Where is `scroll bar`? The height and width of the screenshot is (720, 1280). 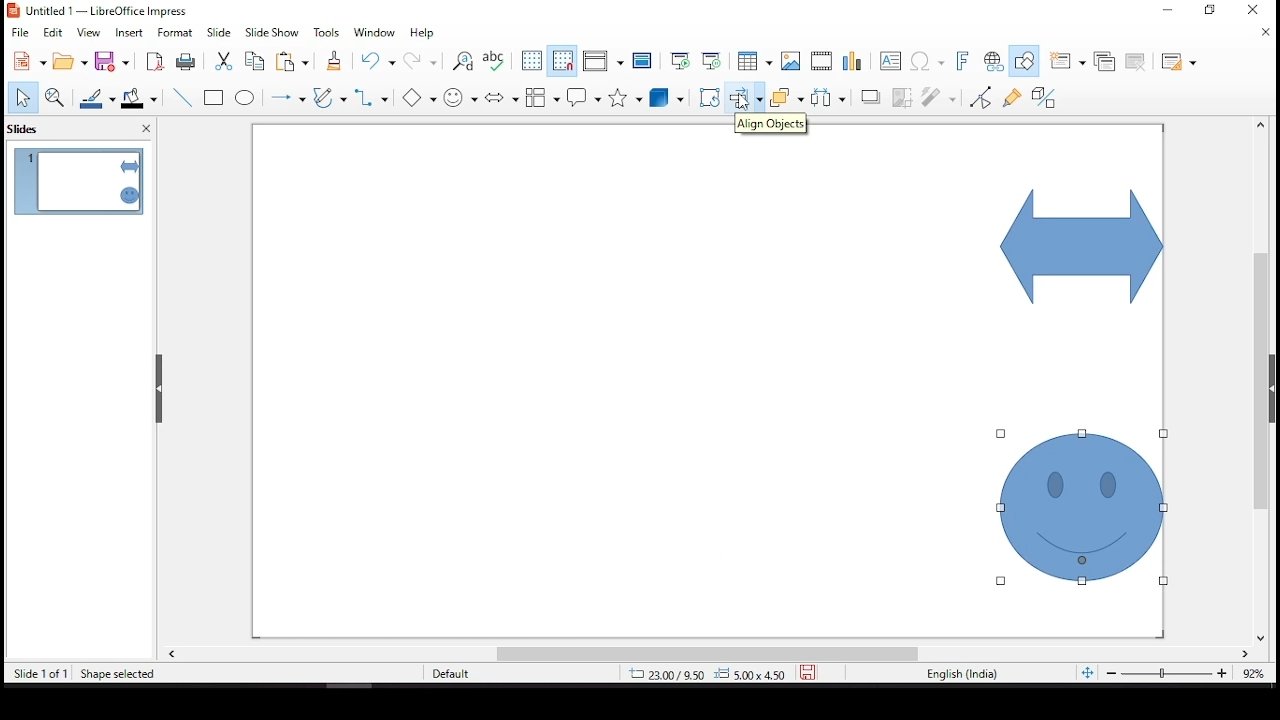
scroll bar is located at coordinates (709, 654).